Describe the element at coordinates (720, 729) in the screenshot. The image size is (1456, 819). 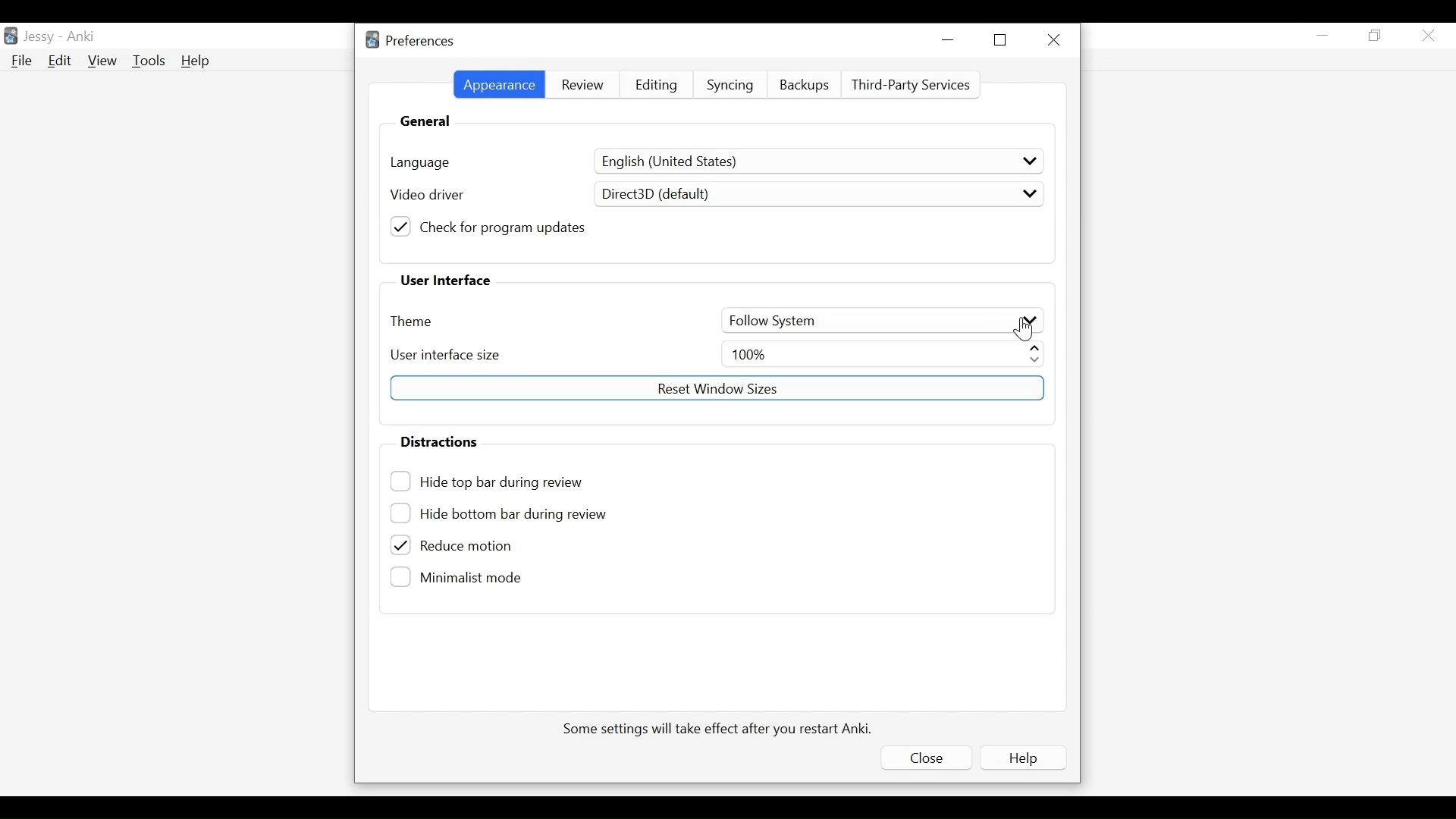
I see `Some settings will take effect after you restart Anki` at that location.